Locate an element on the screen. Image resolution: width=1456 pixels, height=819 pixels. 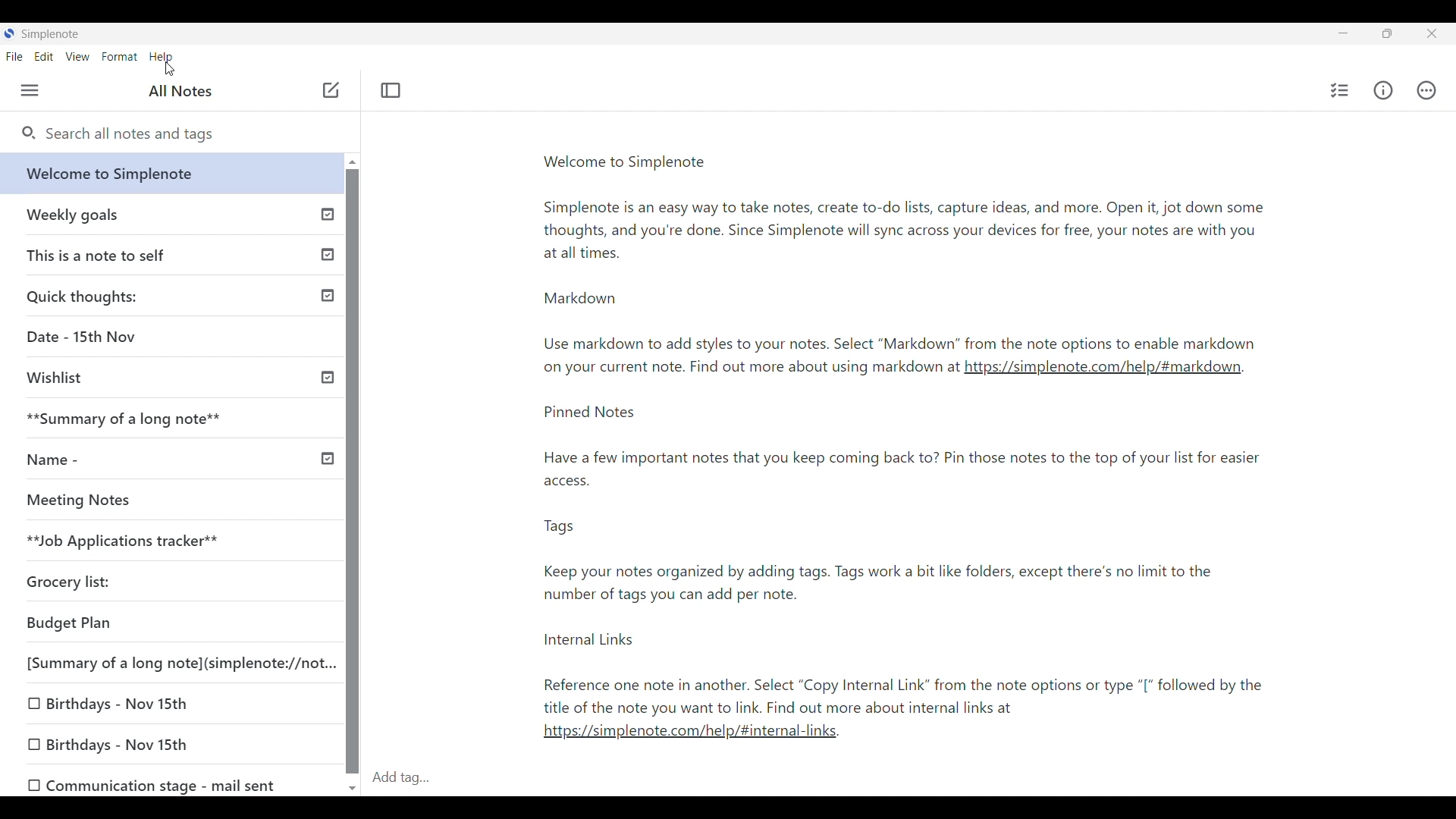
Click to add note is located at coordinates (331, 90).